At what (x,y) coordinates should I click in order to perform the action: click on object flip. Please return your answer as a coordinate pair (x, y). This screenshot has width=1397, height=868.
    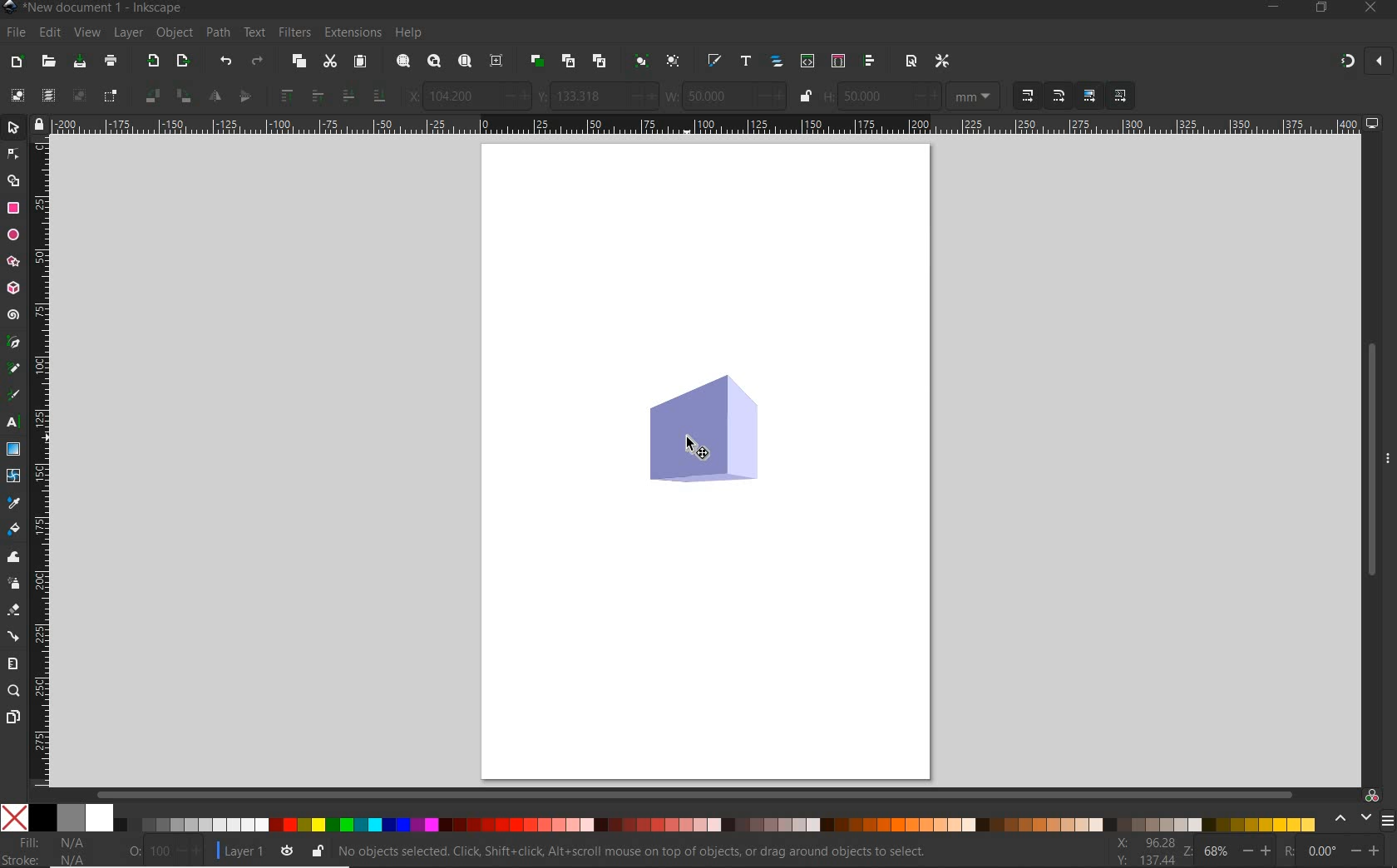
    Looking at the image, I should click on (213, 97).